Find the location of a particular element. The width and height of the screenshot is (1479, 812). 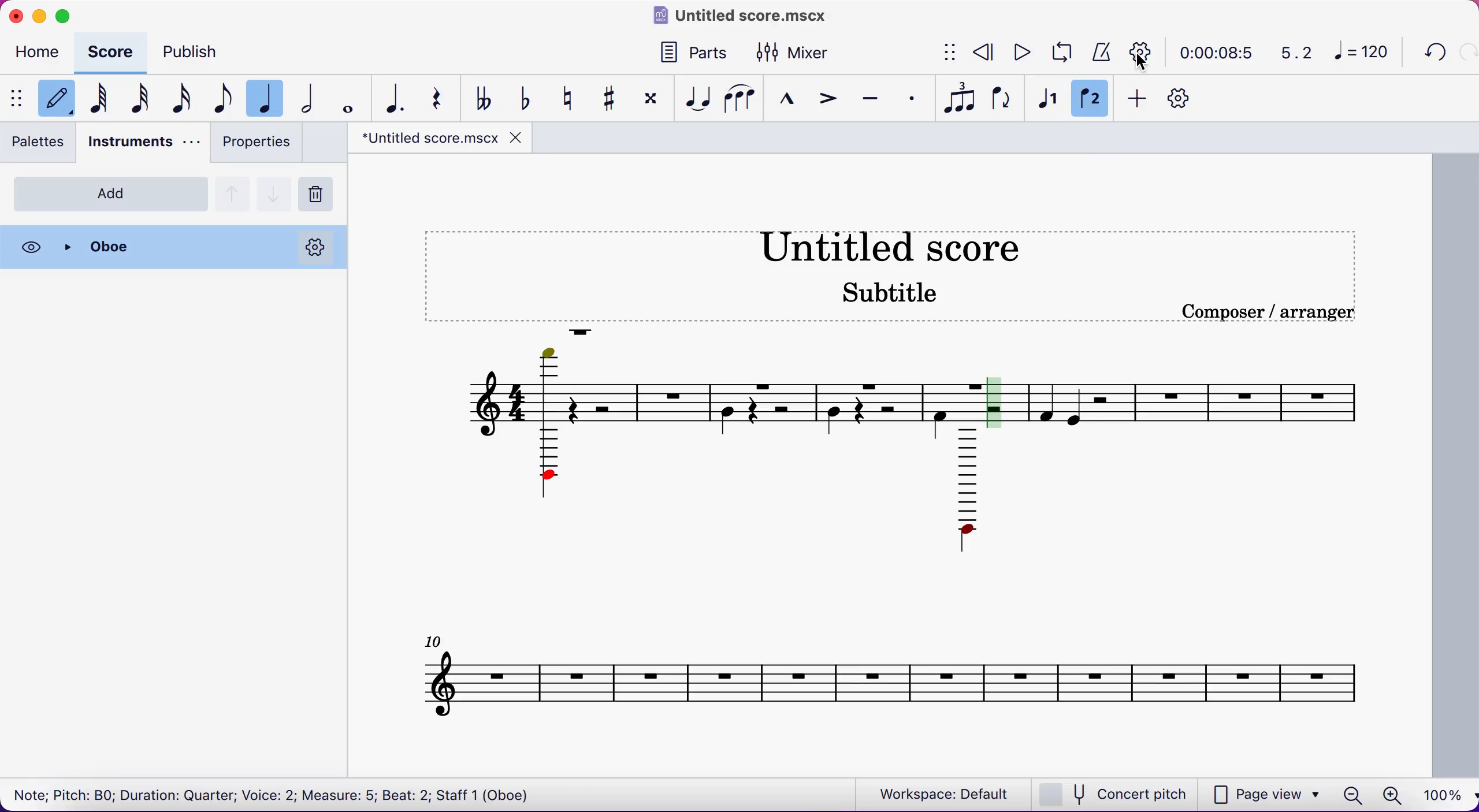

redo is located at coordinates (1466, 52).